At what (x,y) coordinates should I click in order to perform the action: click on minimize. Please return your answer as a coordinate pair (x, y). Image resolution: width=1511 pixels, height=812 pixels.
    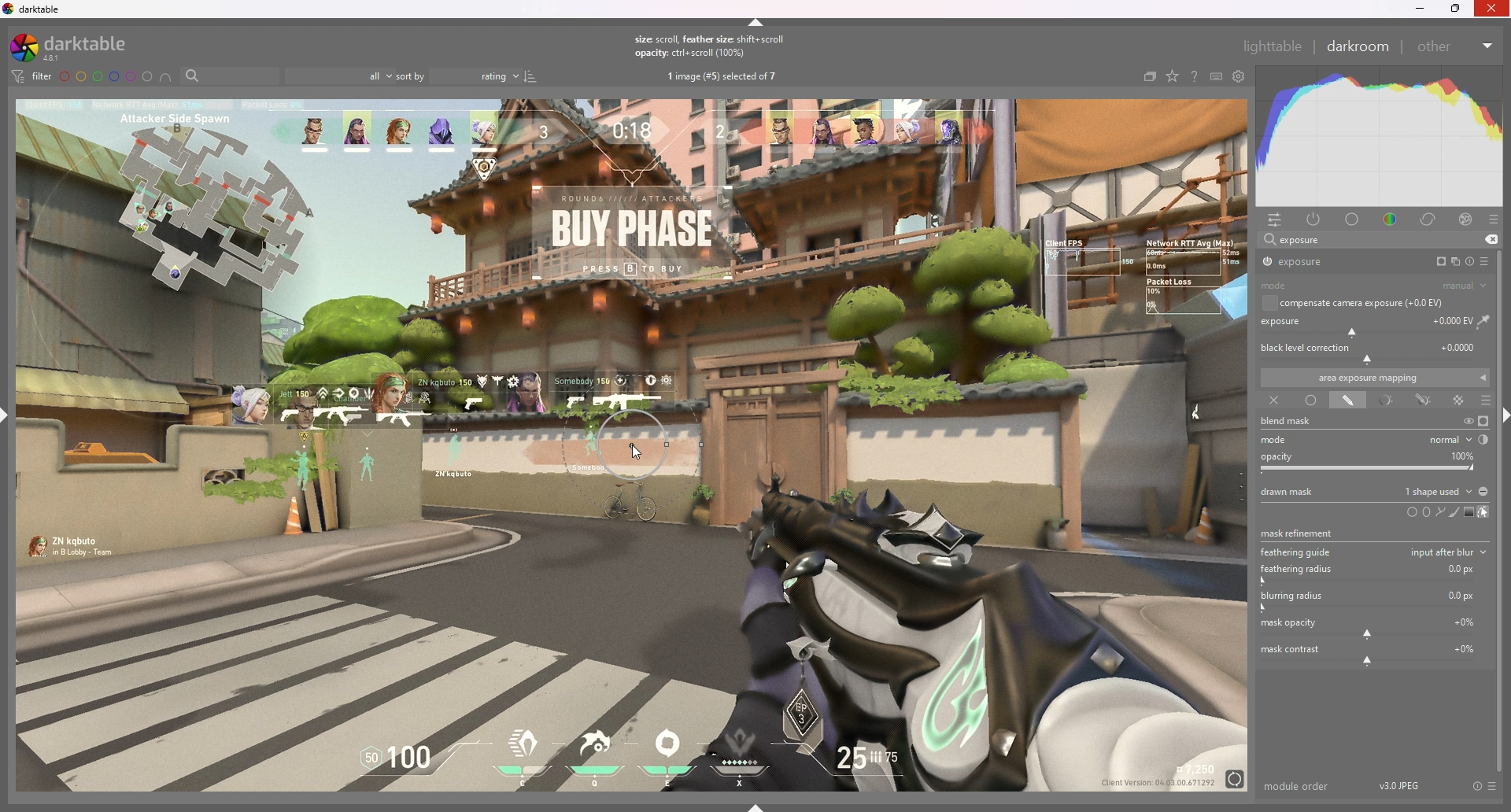
    Looking at the image, I should click on (1420, 9).